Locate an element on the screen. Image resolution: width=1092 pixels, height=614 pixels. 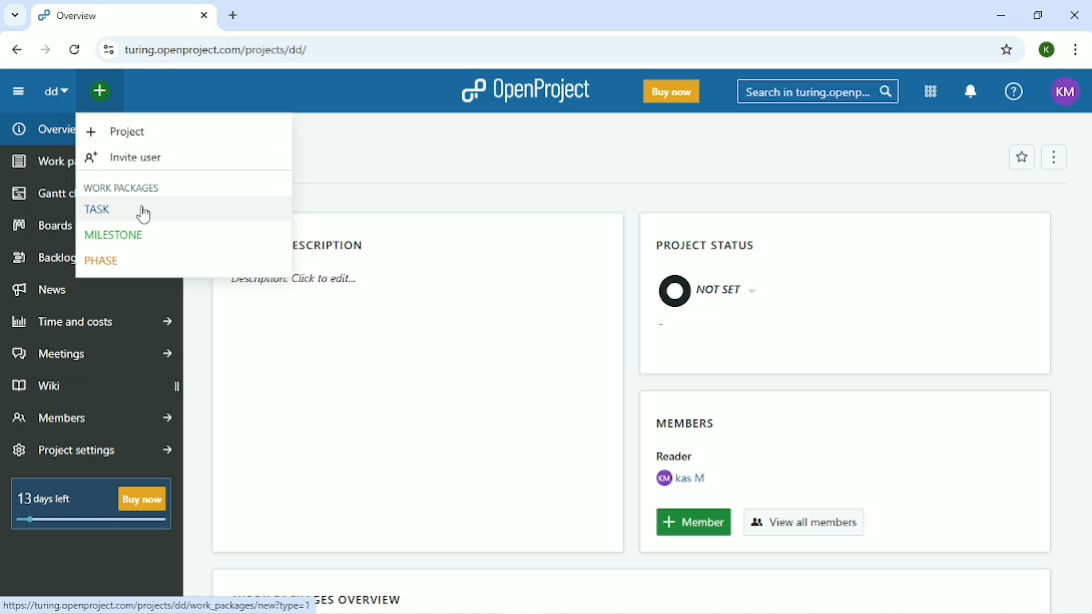
View all members is located at coordinates (807, 522).